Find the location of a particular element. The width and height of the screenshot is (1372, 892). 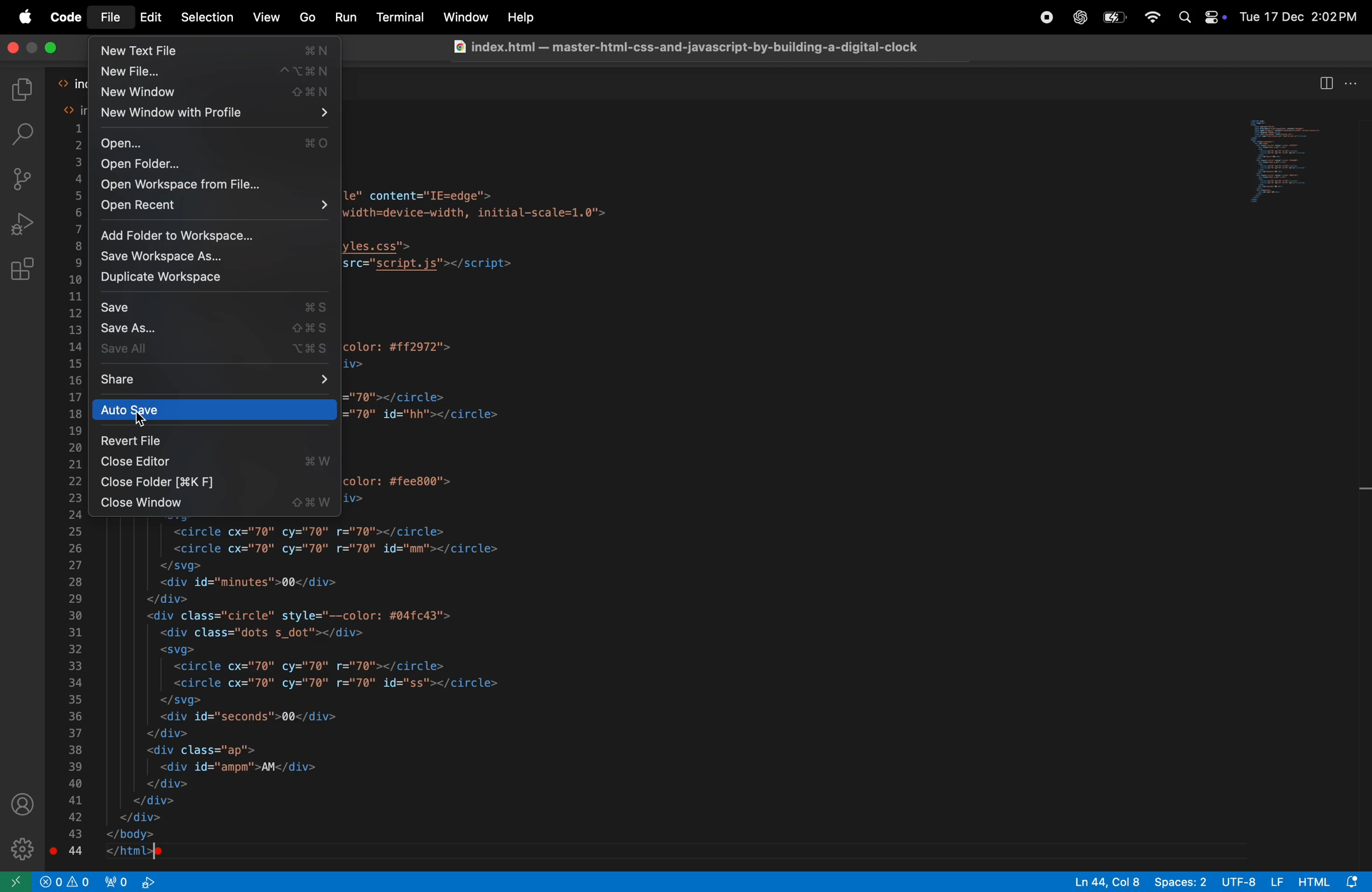

open workspace from file is located at coordinates (214, 184).